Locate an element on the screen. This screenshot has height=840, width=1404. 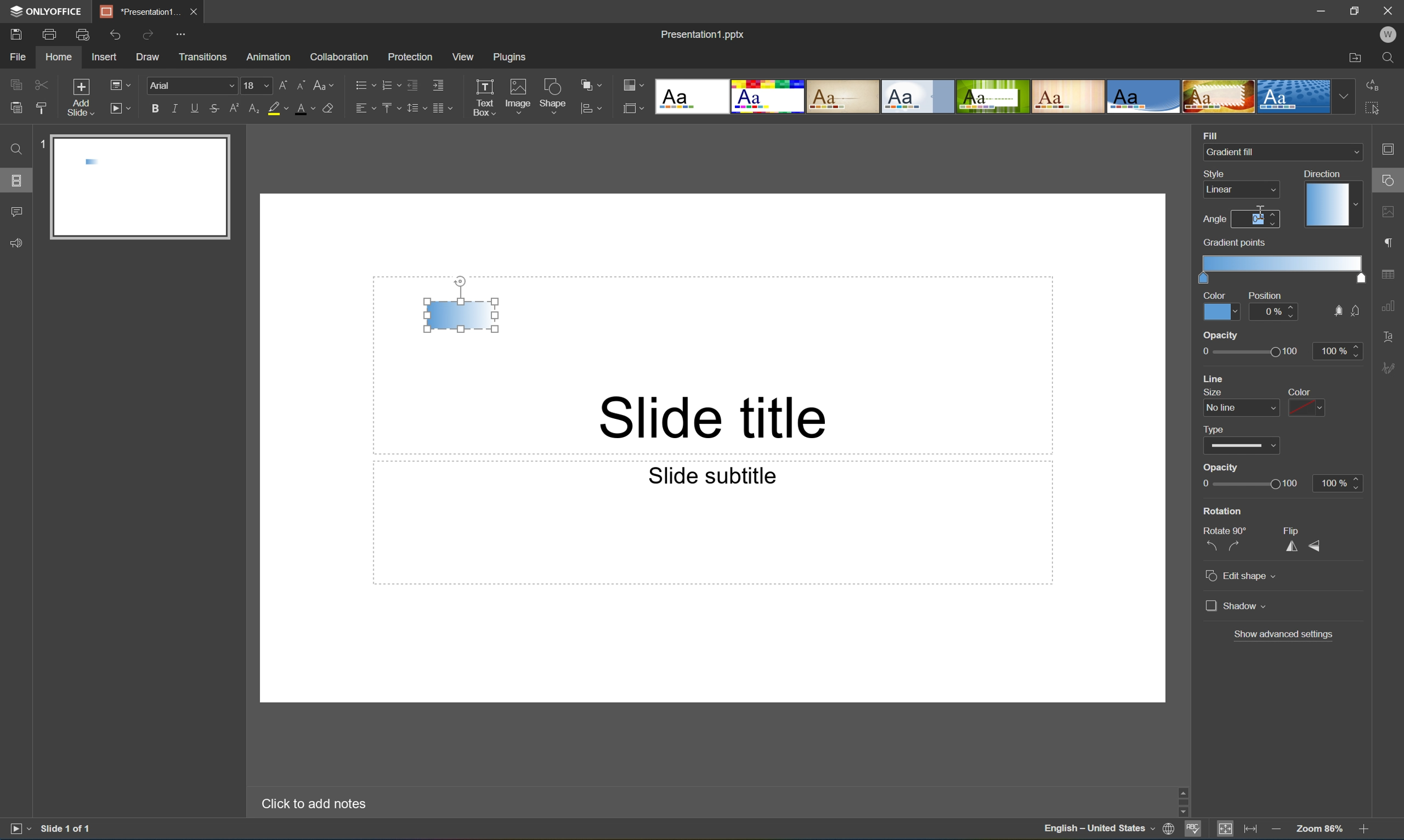
Restore Down is located at coordinates (1356, 9).